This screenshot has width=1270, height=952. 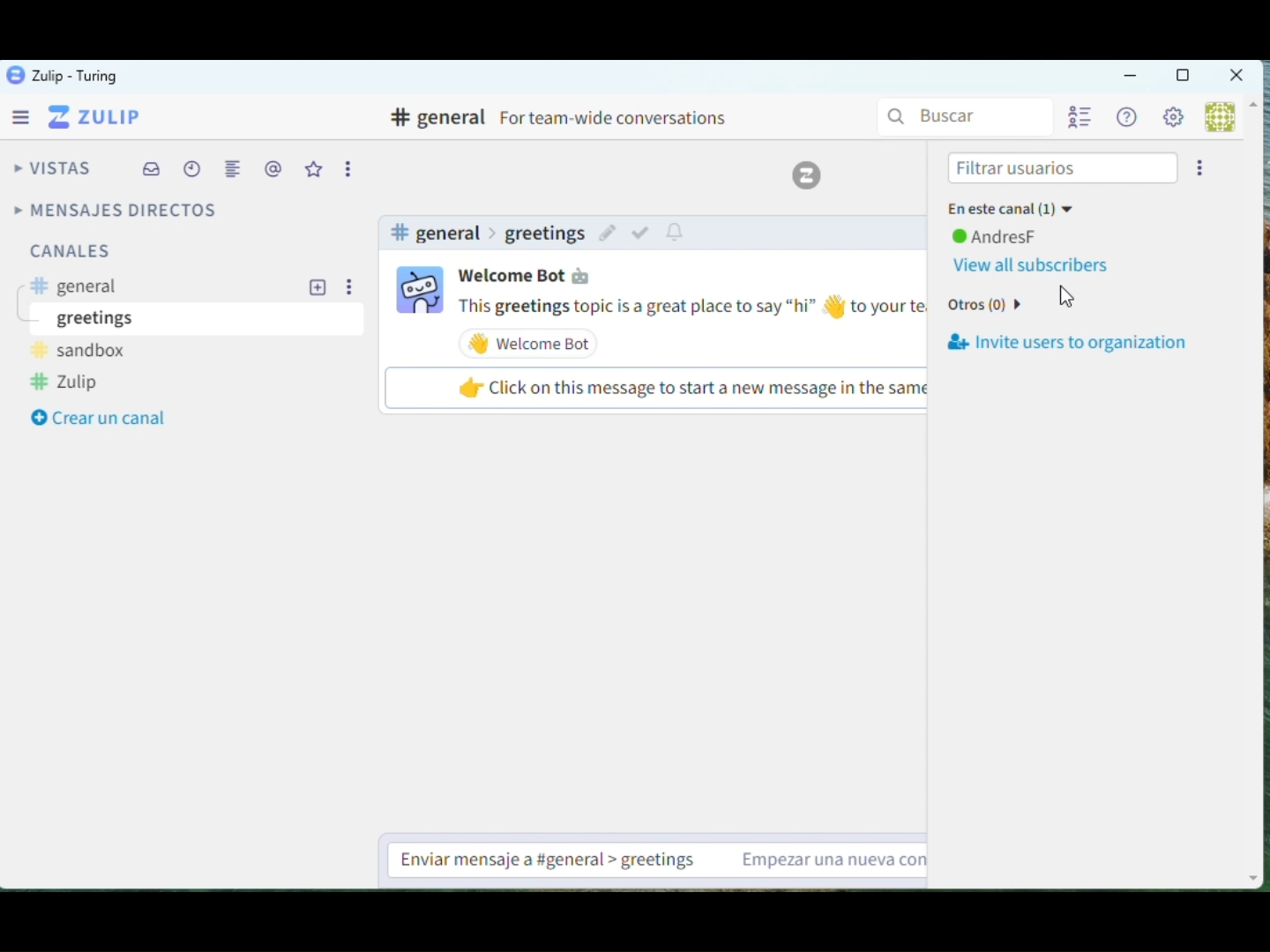 I want to click on sandbox, so click(x=85, y=350).